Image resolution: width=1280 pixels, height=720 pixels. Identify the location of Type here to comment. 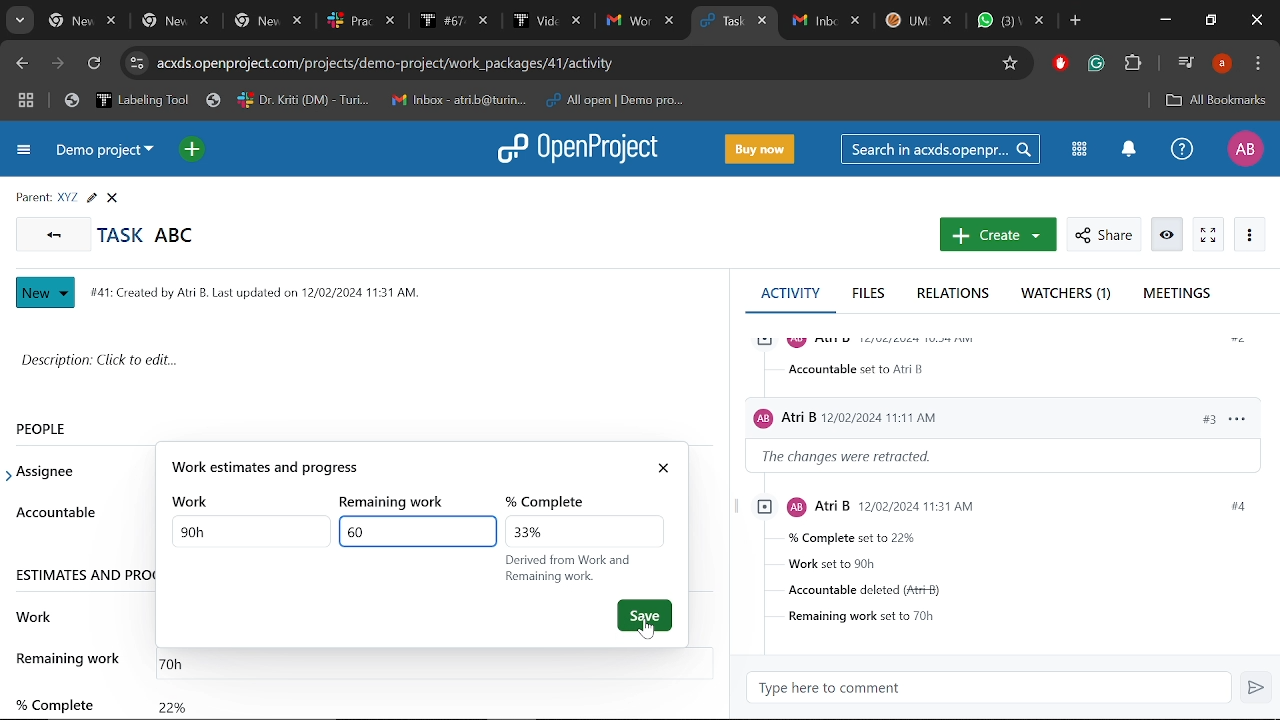
(995, 688).